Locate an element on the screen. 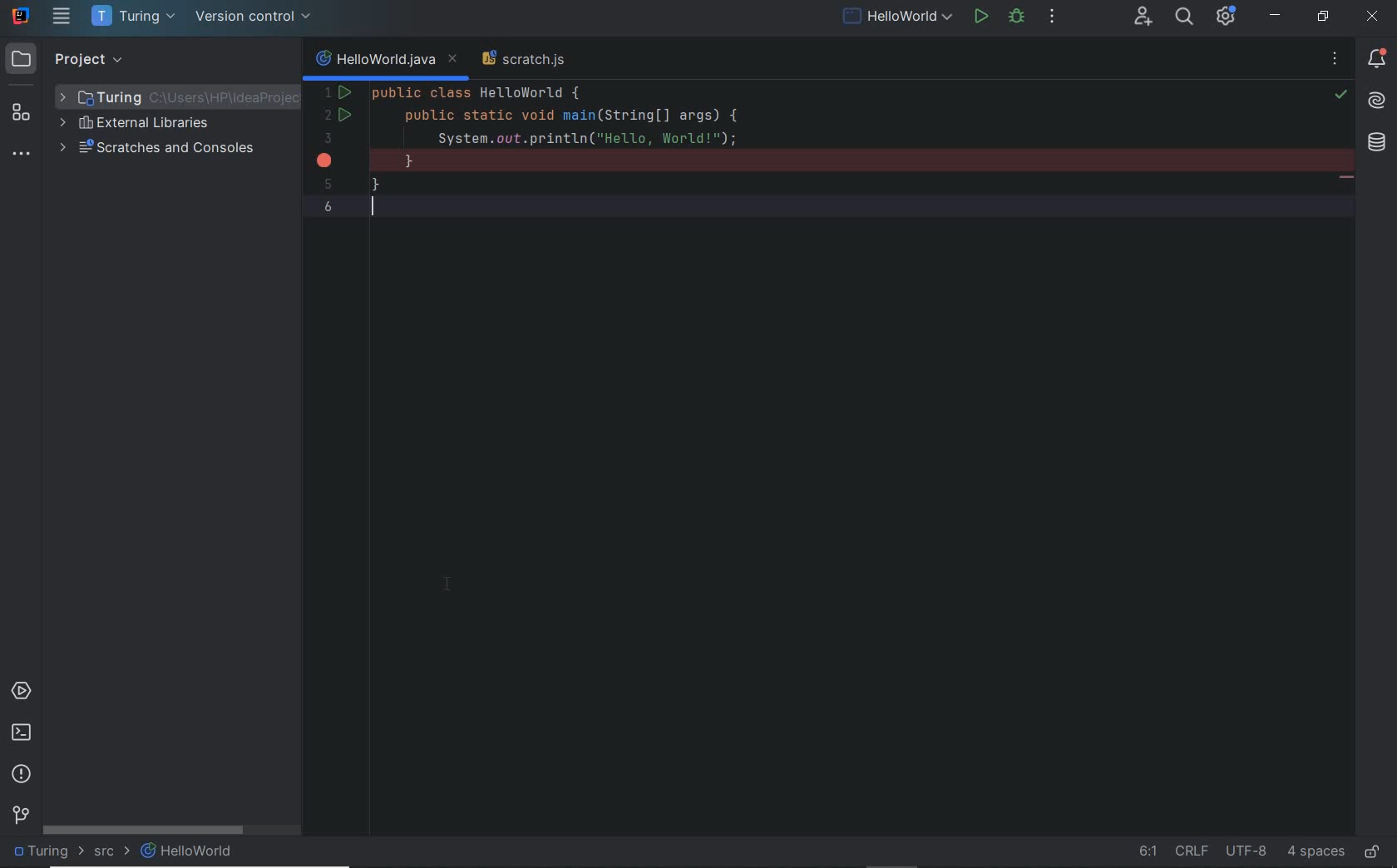 Image resolution: width=1397 pixels, height=868 pixels. external libraries is located at coordinates (141, 123).